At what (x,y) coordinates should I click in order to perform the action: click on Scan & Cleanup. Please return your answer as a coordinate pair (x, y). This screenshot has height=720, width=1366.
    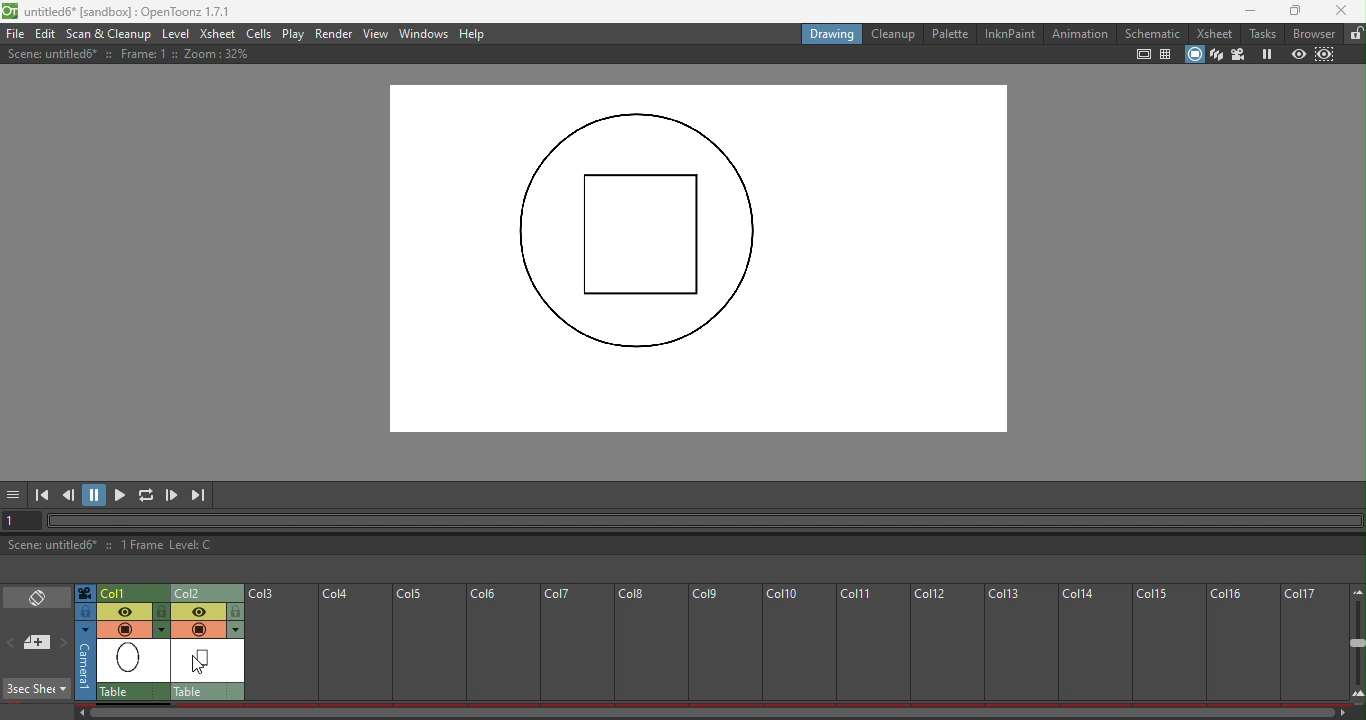
    Looking at the image, I should click on (109, 34).